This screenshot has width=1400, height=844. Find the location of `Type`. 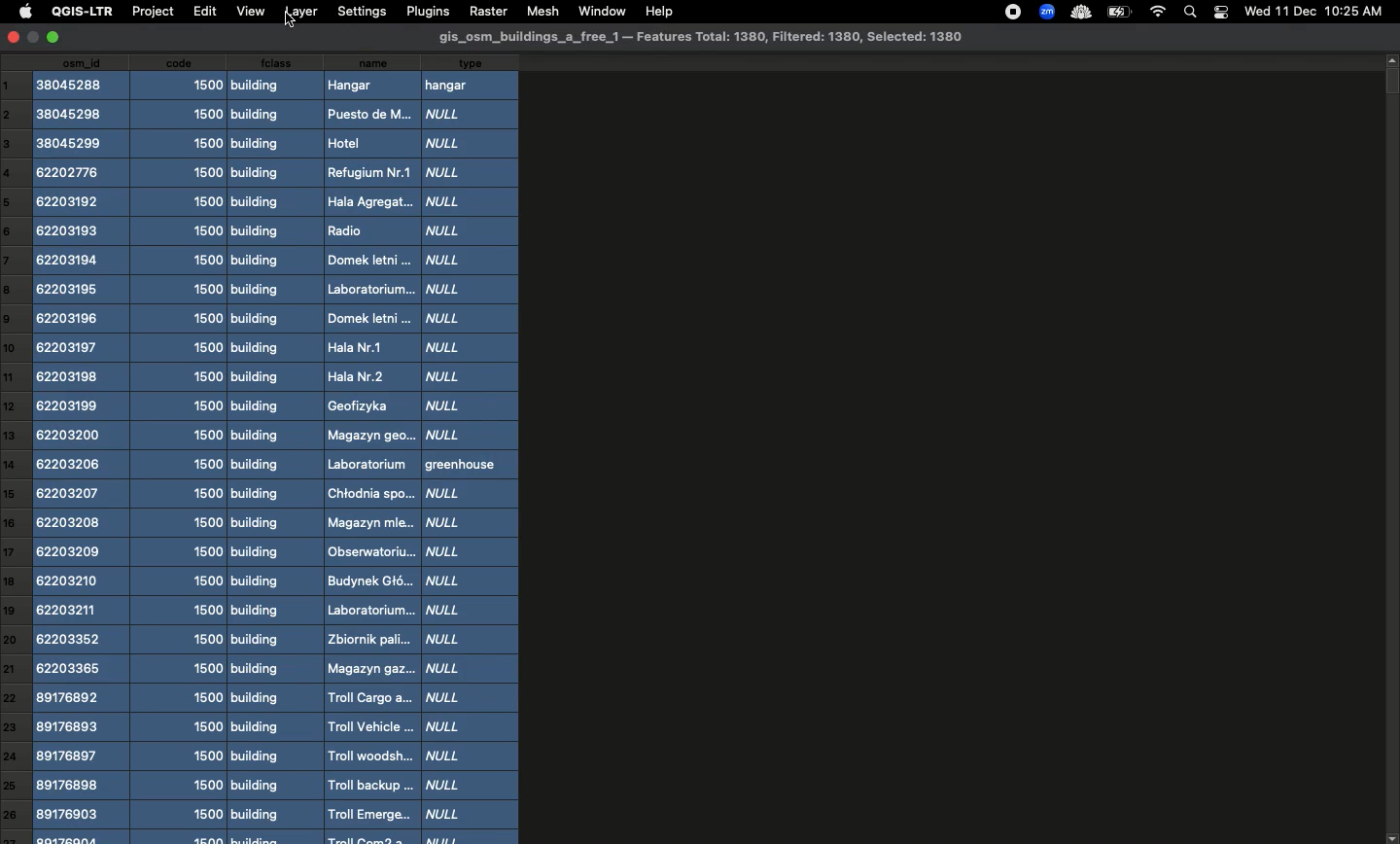

Type is located at coordinates (472, 447).